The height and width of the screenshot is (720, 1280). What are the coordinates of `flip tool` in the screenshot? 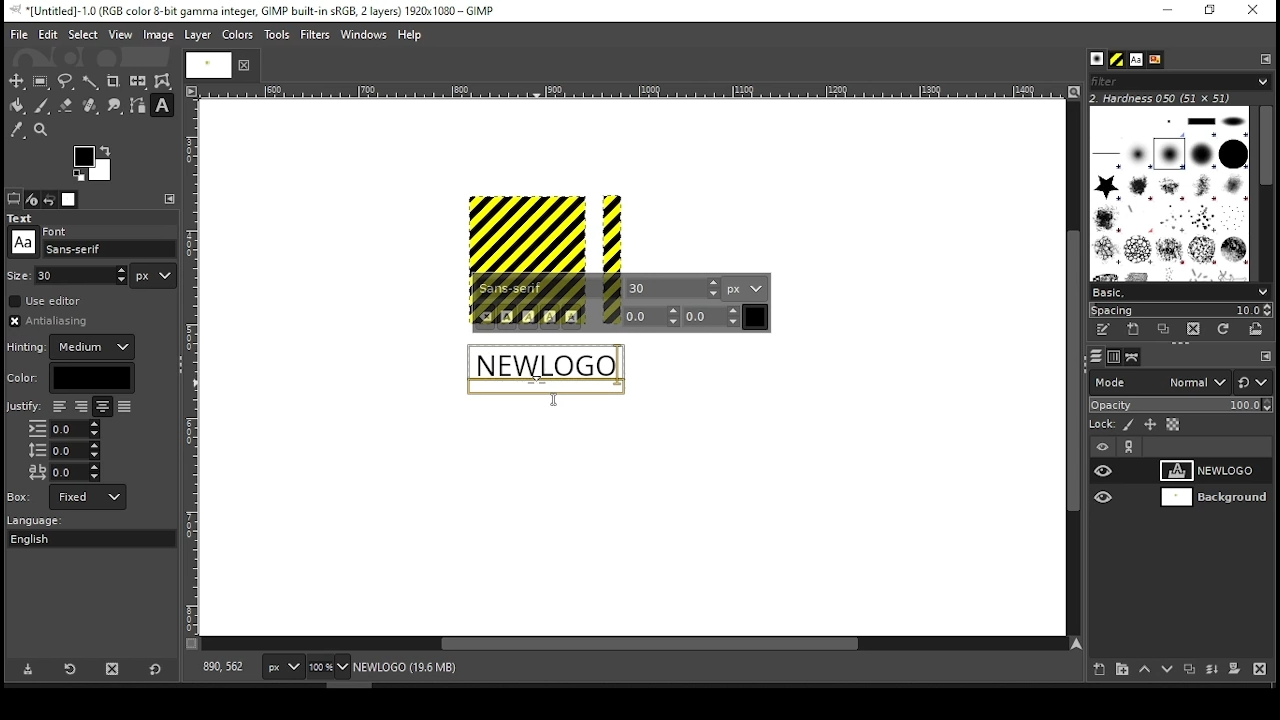 It's located at (138, 80).